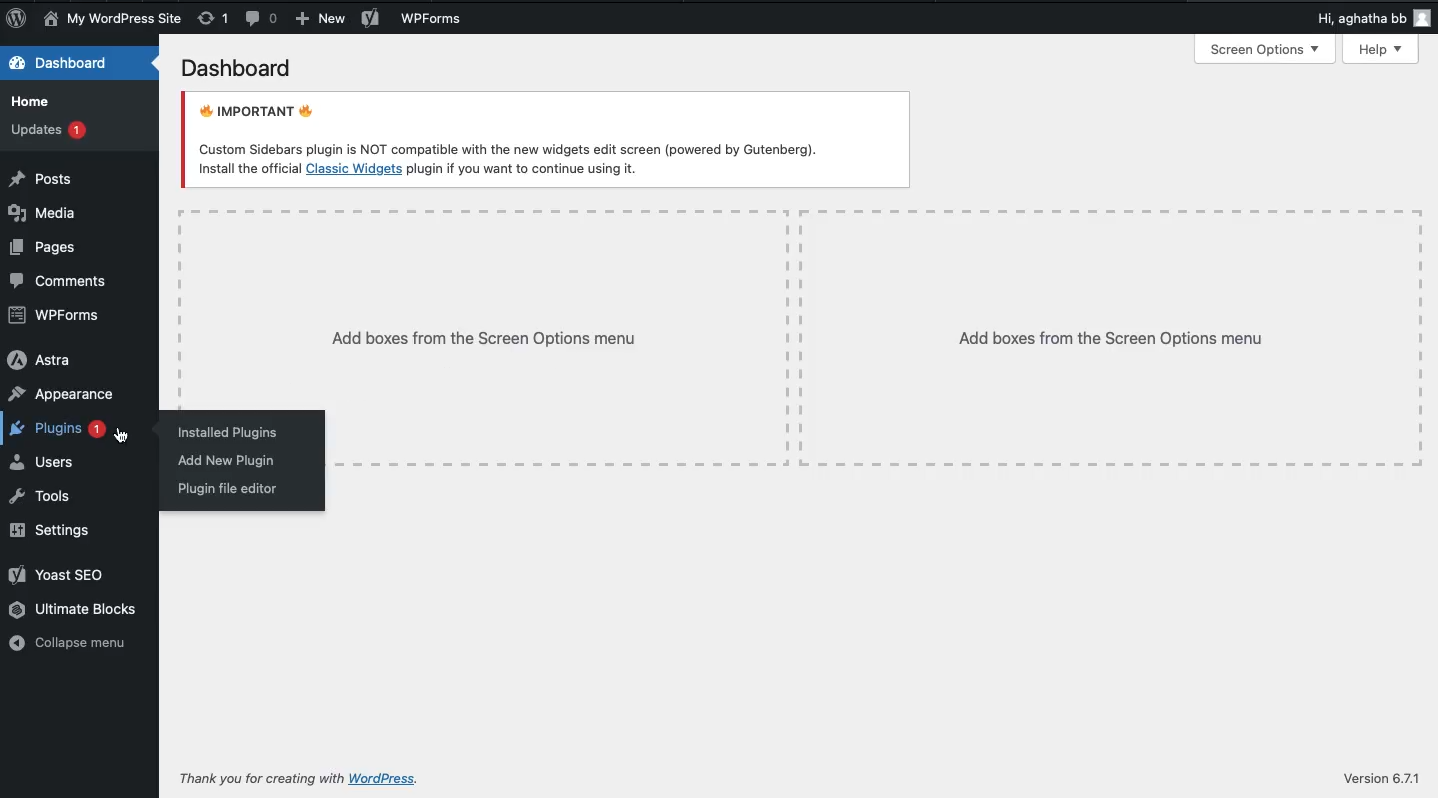 The height and width of the screenshot is (798, 1438). What do you see at coordinates (371, 20) in the screenshot?
I see `Yoast` at bounding box center [371, 20].